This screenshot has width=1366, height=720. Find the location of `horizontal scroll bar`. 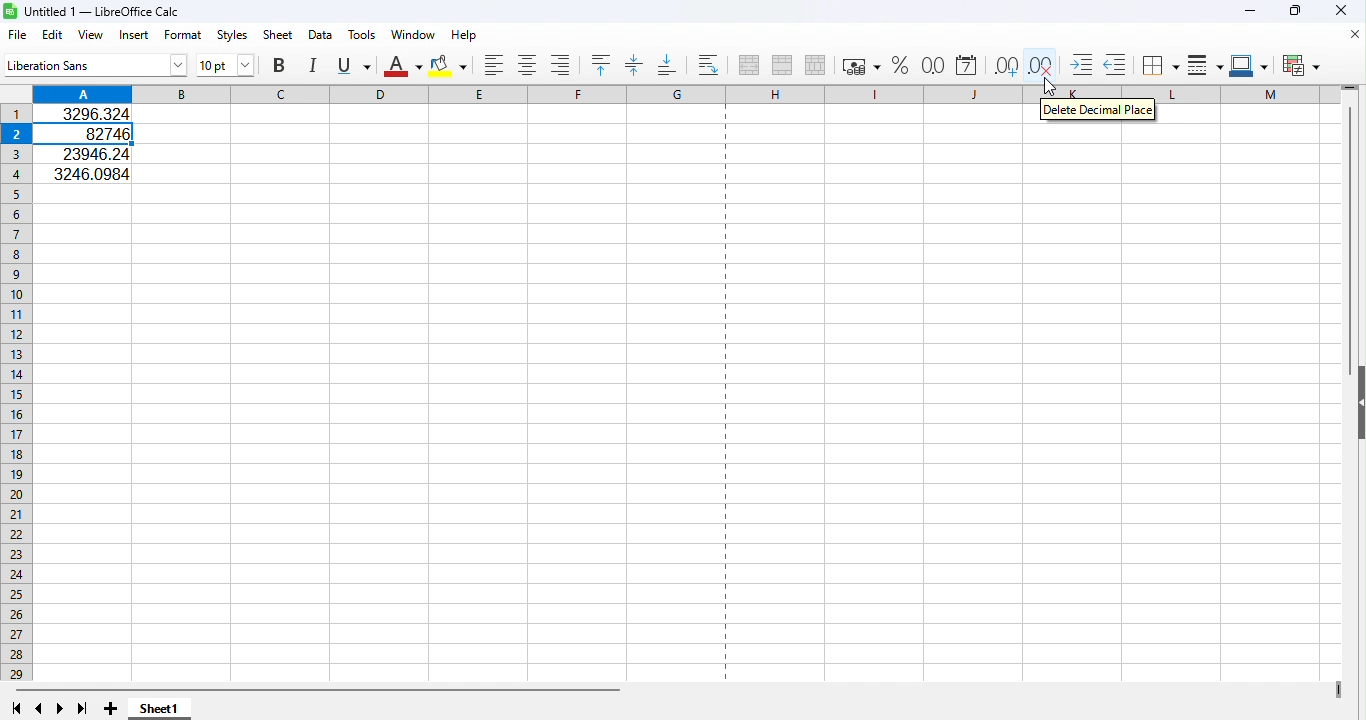

horizontal scroll bar is located at coordinates (674, 691).